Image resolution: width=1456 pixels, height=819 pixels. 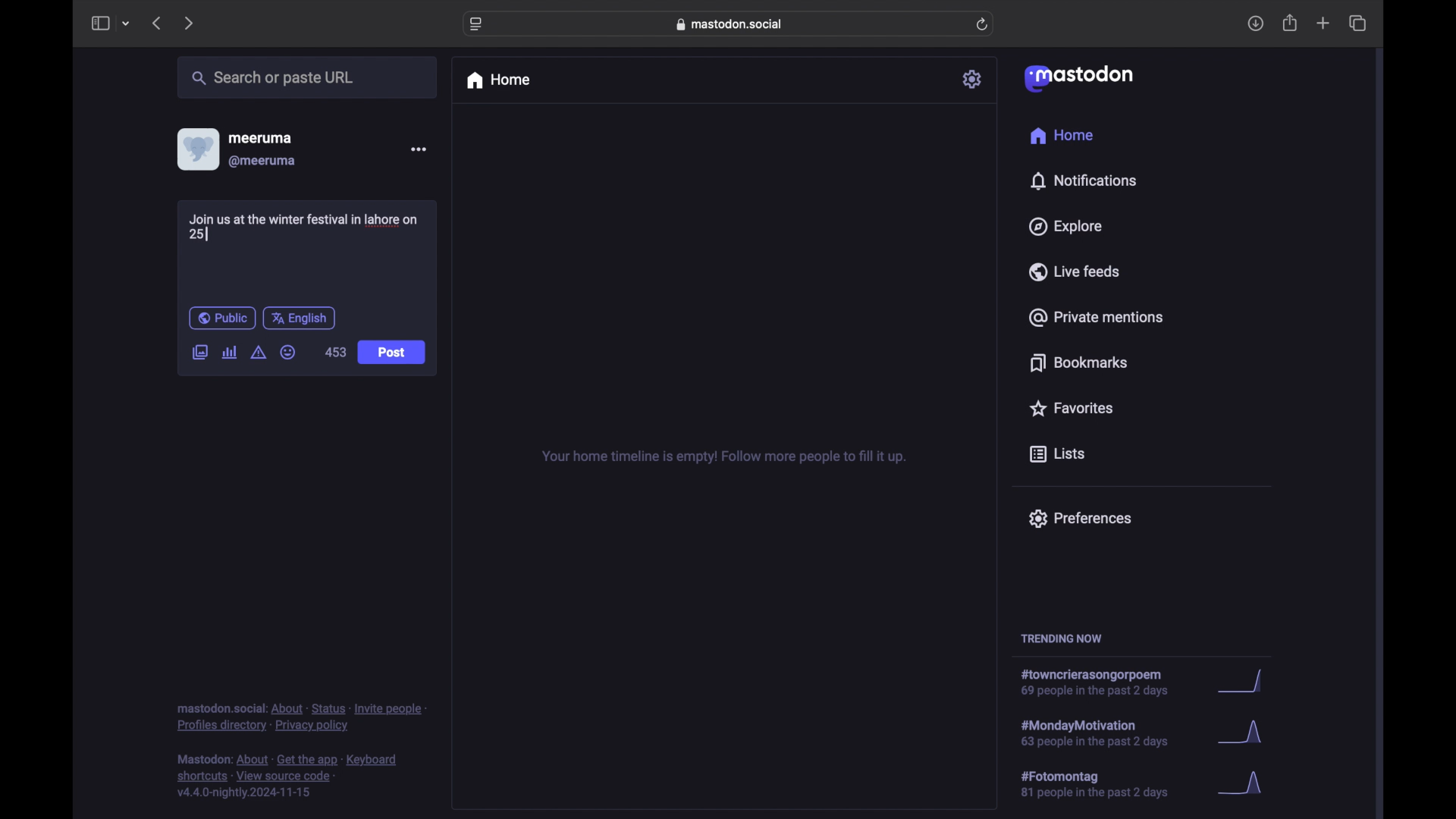 What do you see at coordinates (1357, 24) in the screenshot?
I see `show tab overview` at bounding box center [1357, 24].